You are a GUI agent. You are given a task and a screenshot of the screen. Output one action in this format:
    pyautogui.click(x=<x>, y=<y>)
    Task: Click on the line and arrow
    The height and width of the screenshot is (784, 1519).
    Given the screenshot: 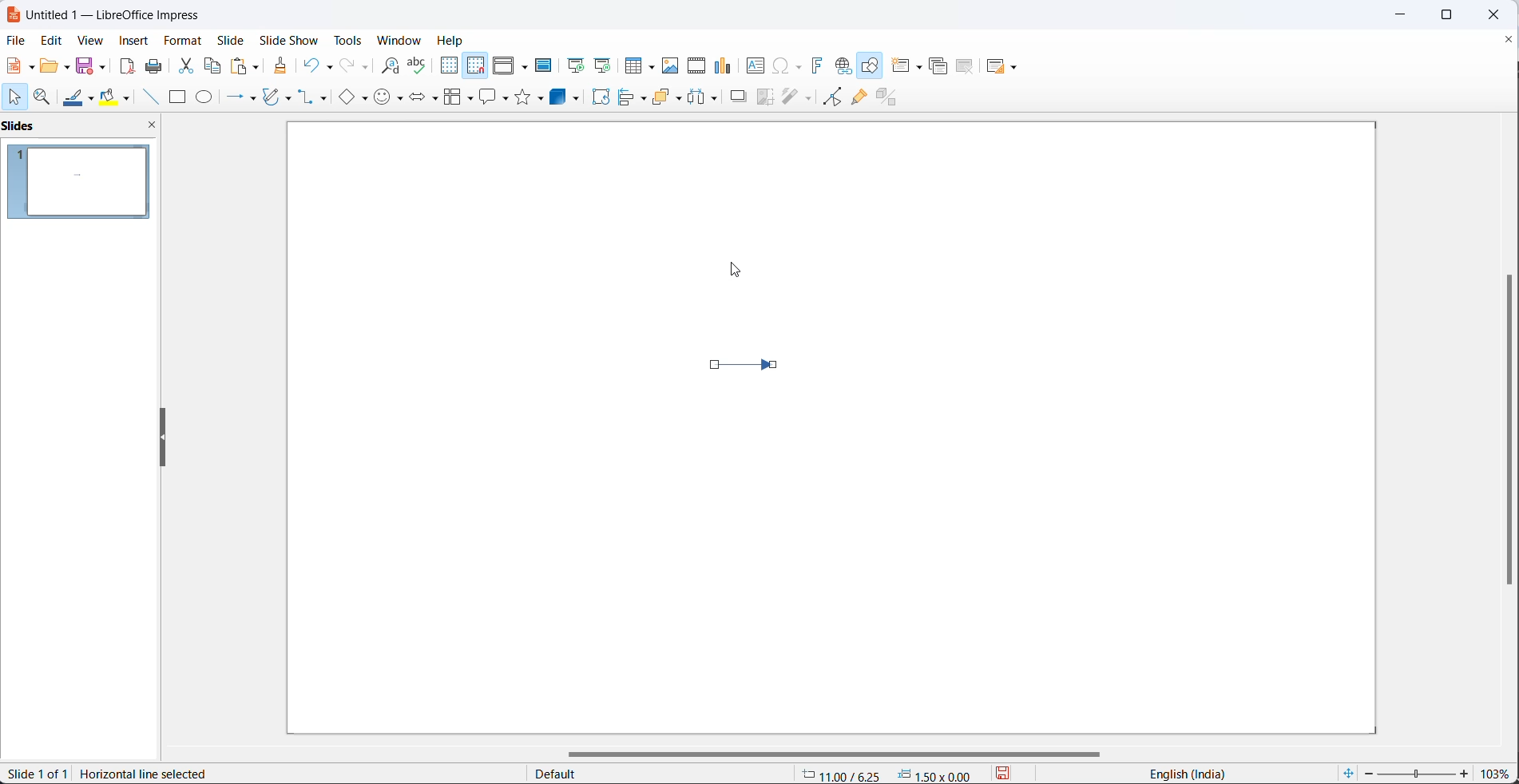 What is the action you would take?
    pyautogui.click(x=232, y=98)
    